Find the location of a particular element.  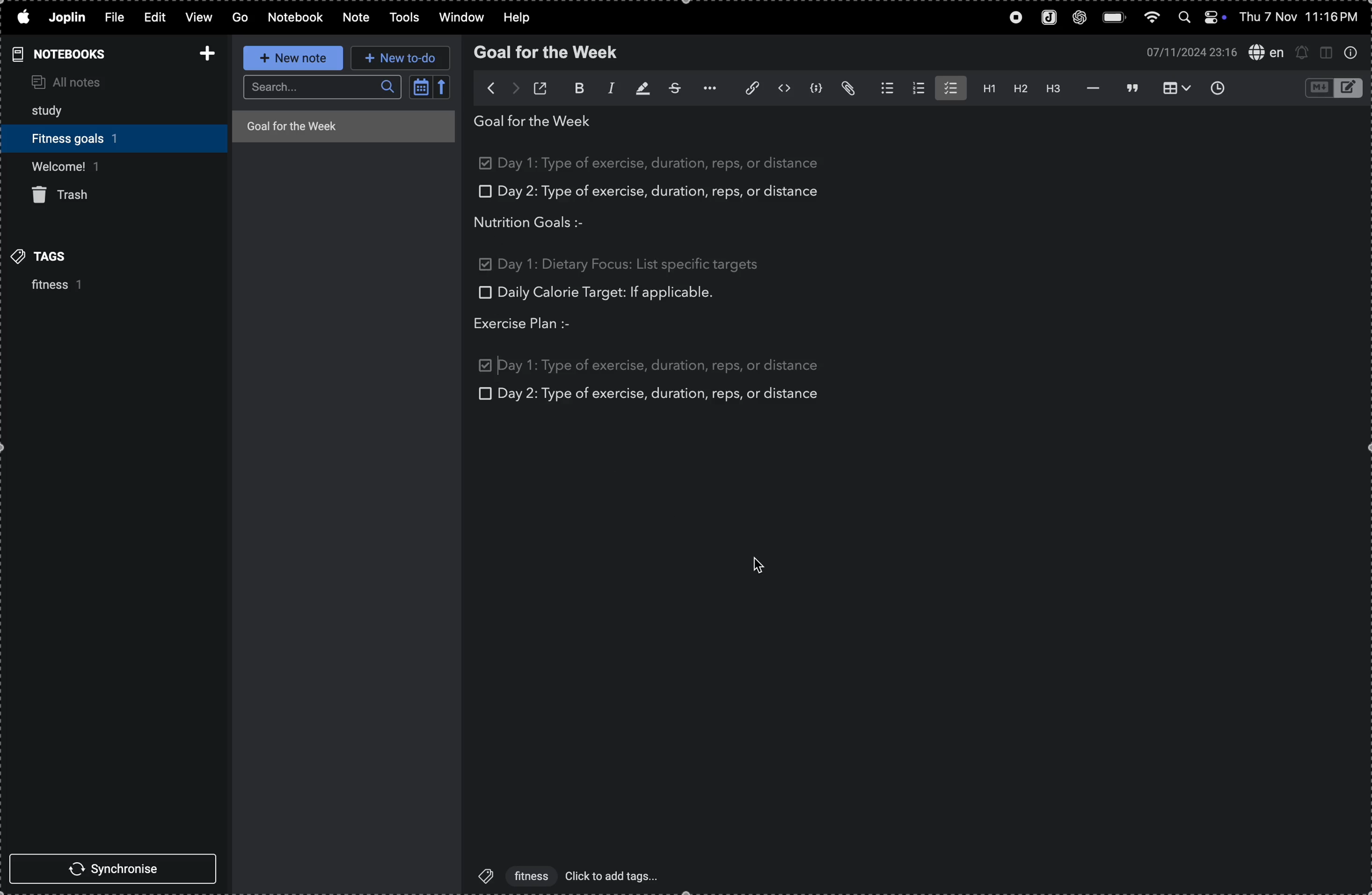

black quote is located at coordinates (1132, 87).